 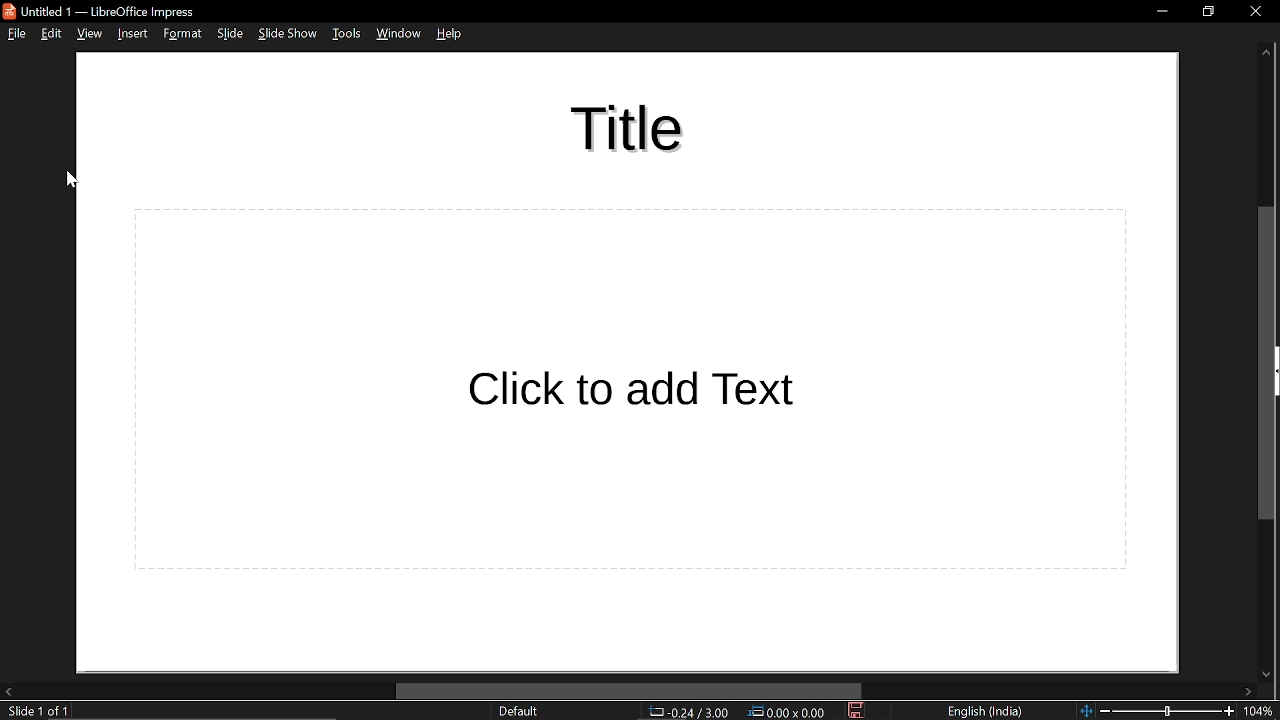 I want to click on horizontal scrollbar, so click(x=630, y=692).